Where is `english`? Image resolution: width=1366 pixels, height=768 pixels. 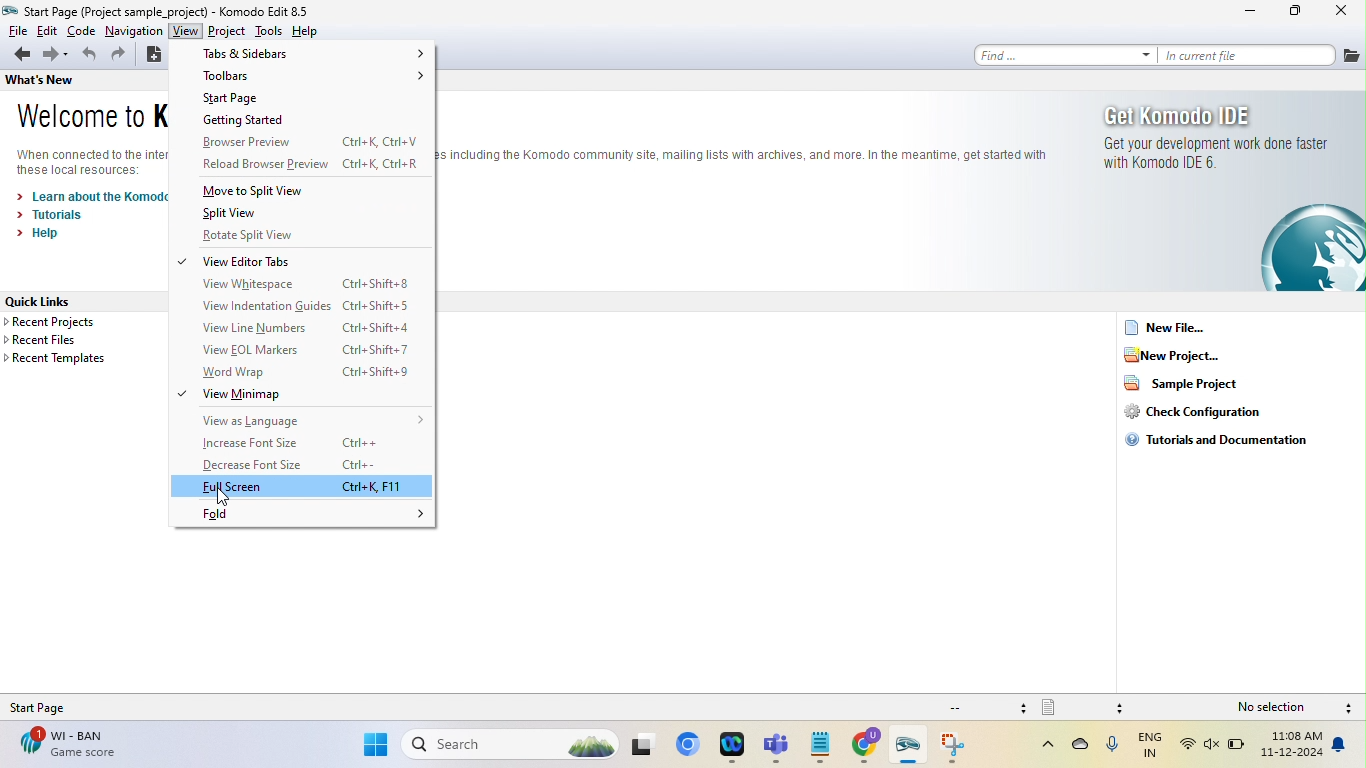
english is located at coordinates (1152, 746).